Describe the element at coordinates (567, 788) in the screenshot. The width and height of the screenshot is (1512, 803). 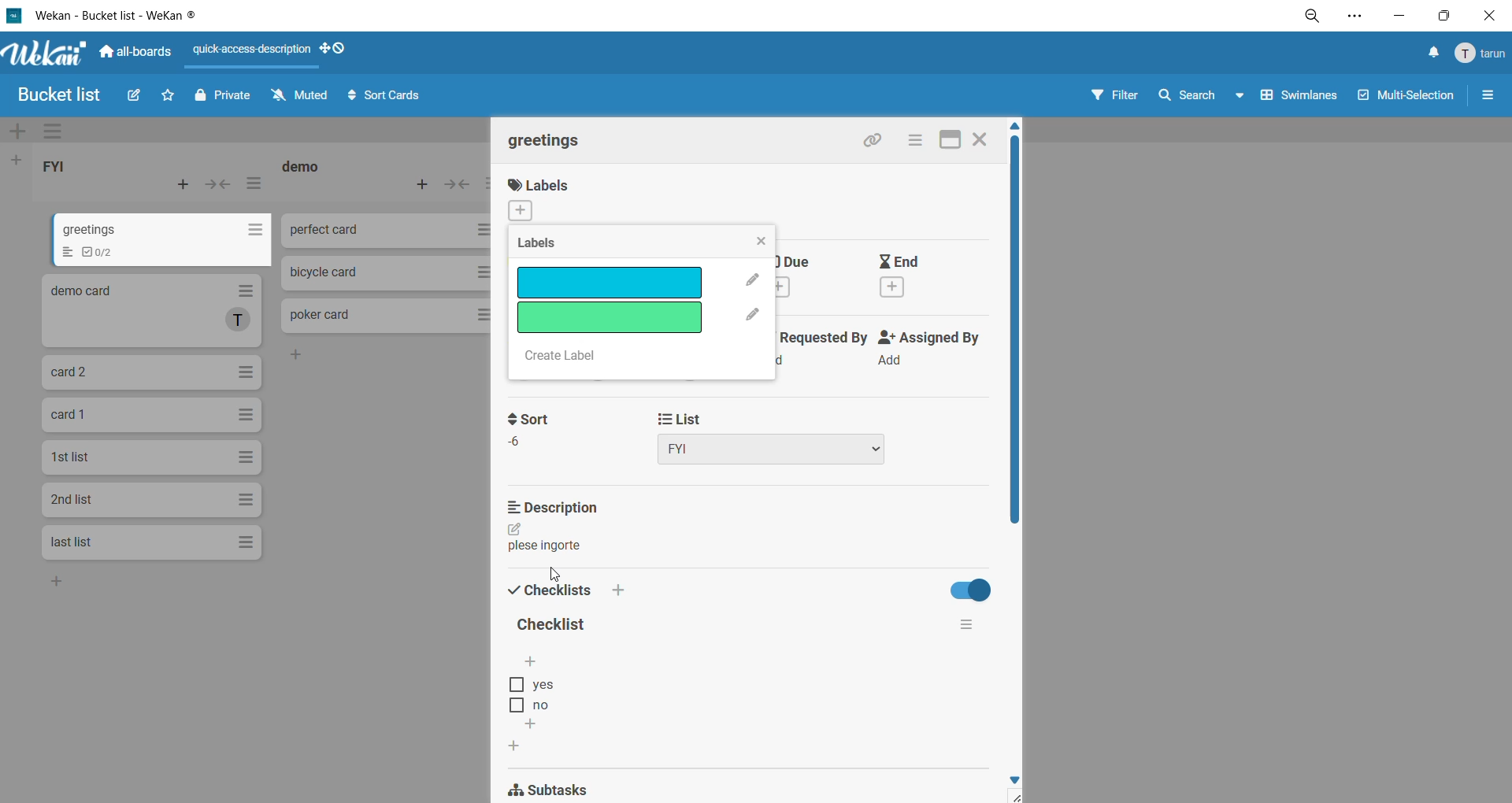
I see `subtasks` at that location.